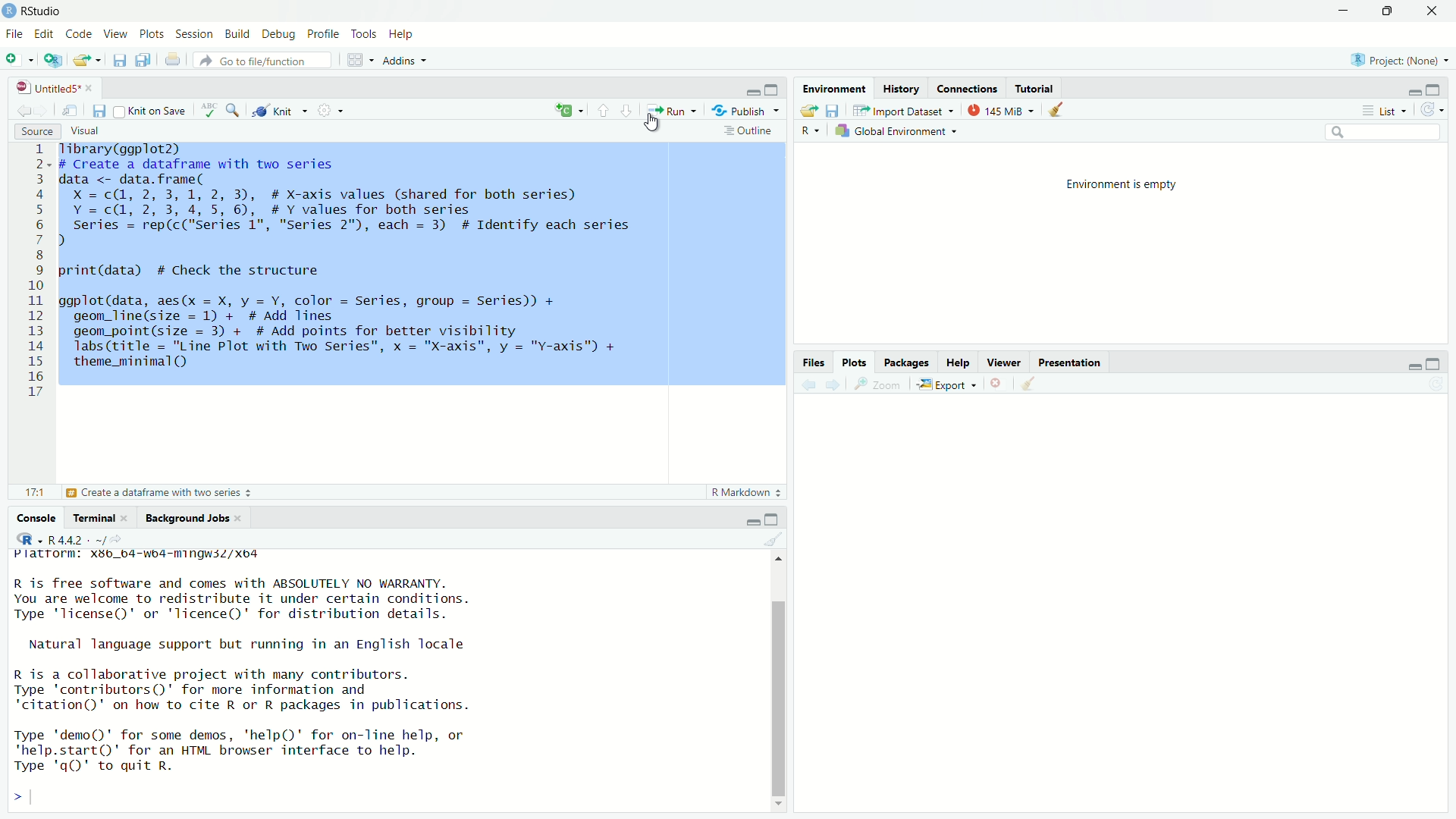 The image size is (1456, 819). Describe the element at coordinates (1075, 362) in the screenshot. I see `Prsentation` at that location.